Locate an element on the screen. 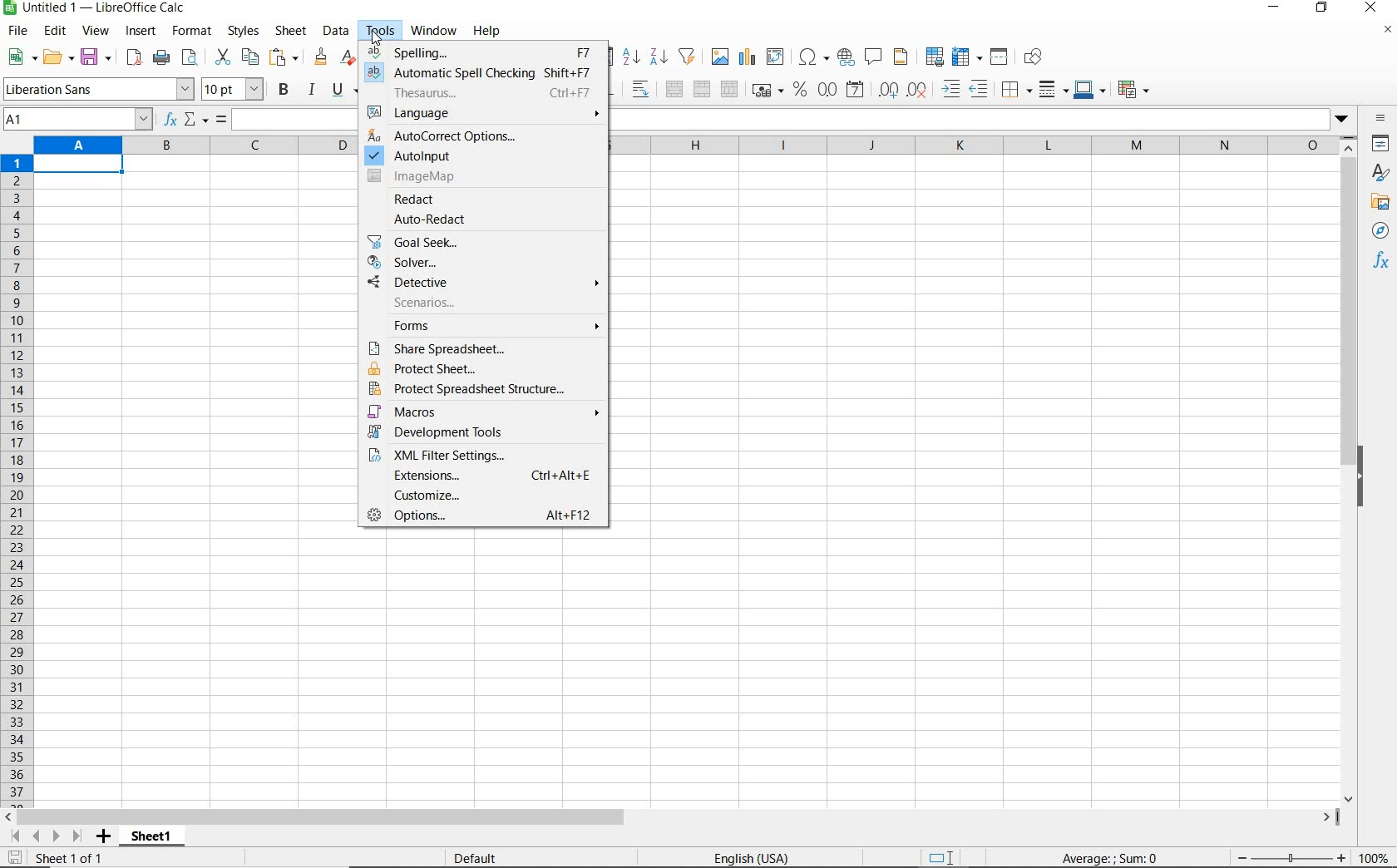 Image resolution: width=1397 pixels, height=868 pixels. paste is located at coordinates (283, 57).